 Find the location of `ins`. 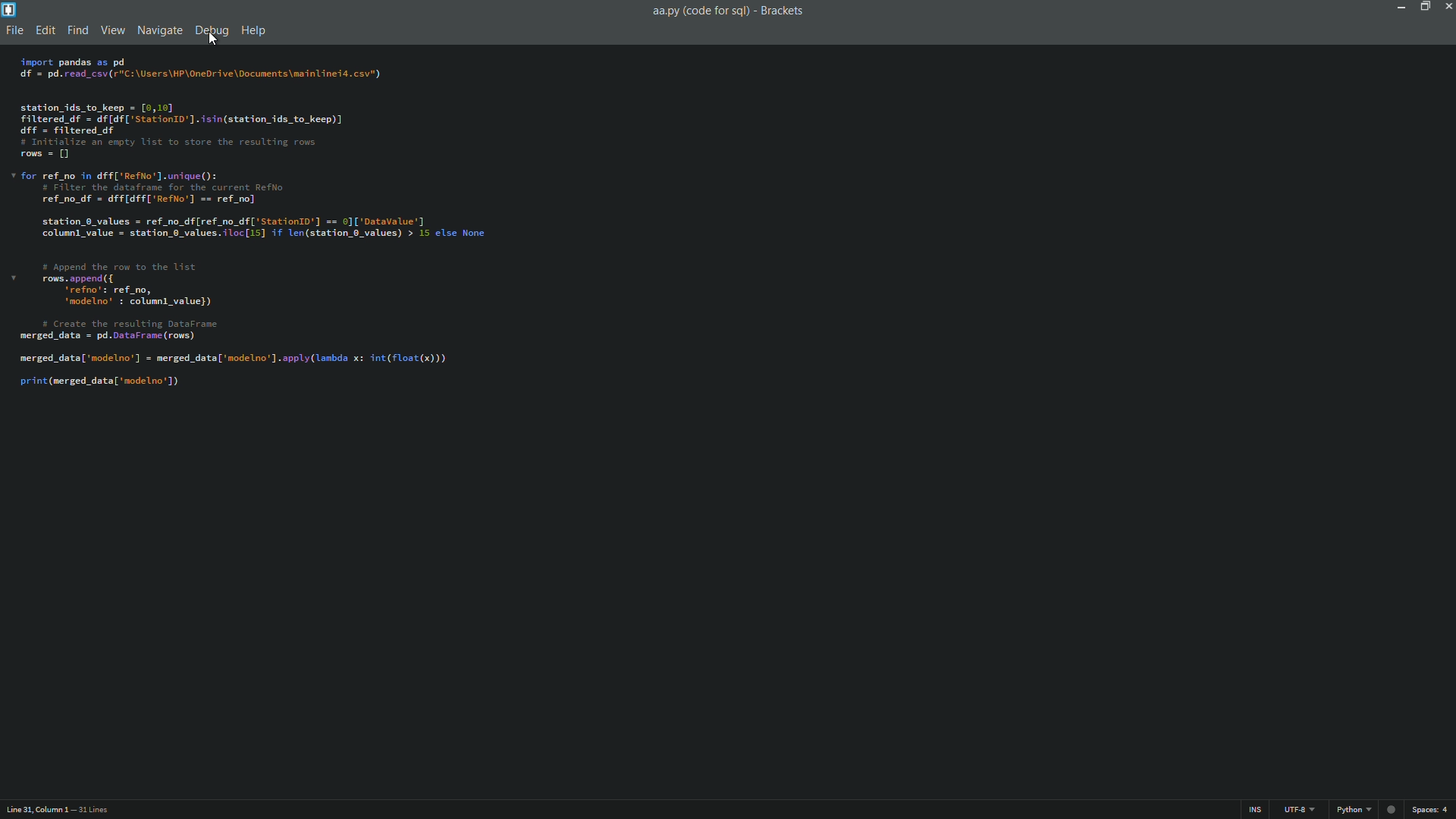

ins is located at coordinates (1255, 810).